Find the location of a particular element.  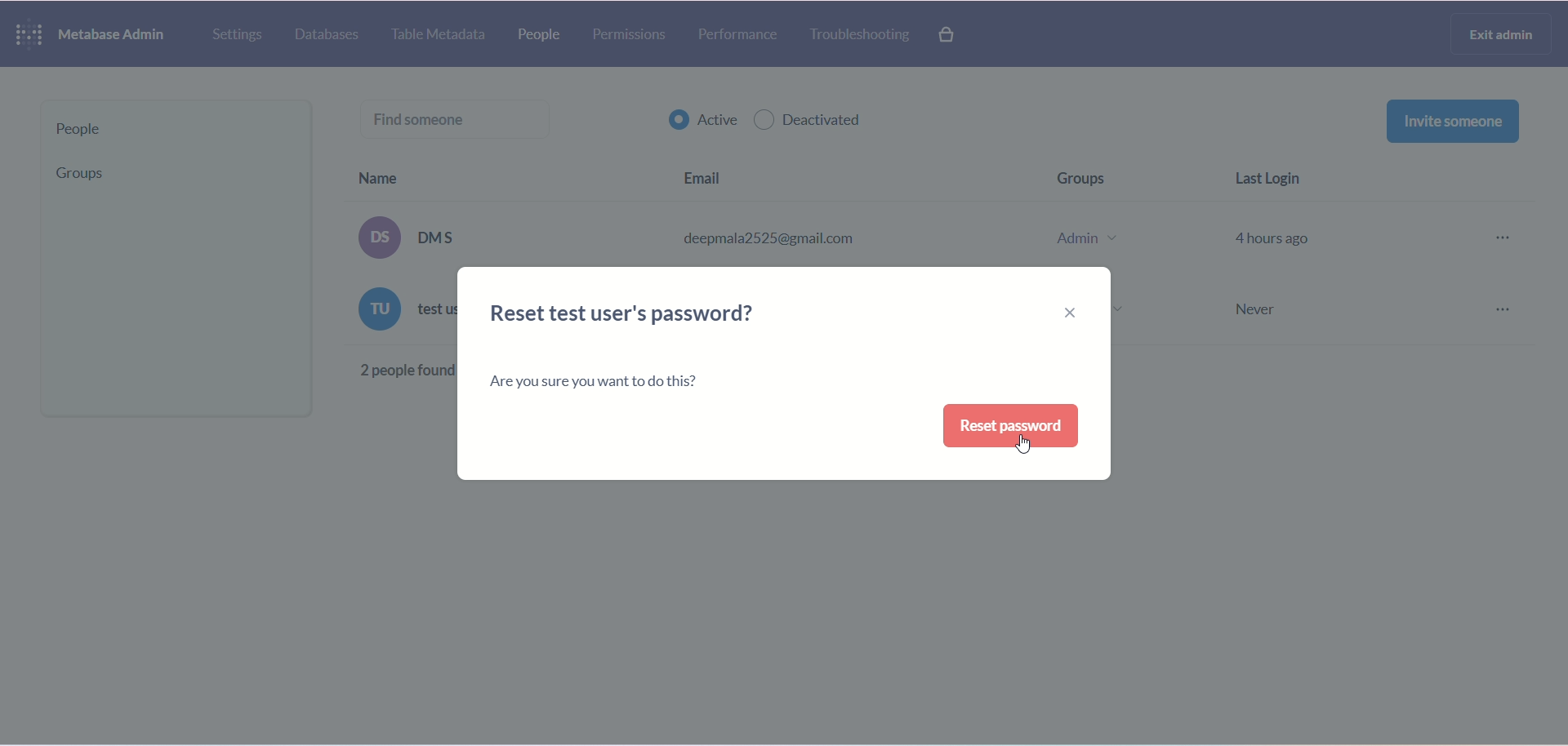

email is located at coordinates (714, 173).